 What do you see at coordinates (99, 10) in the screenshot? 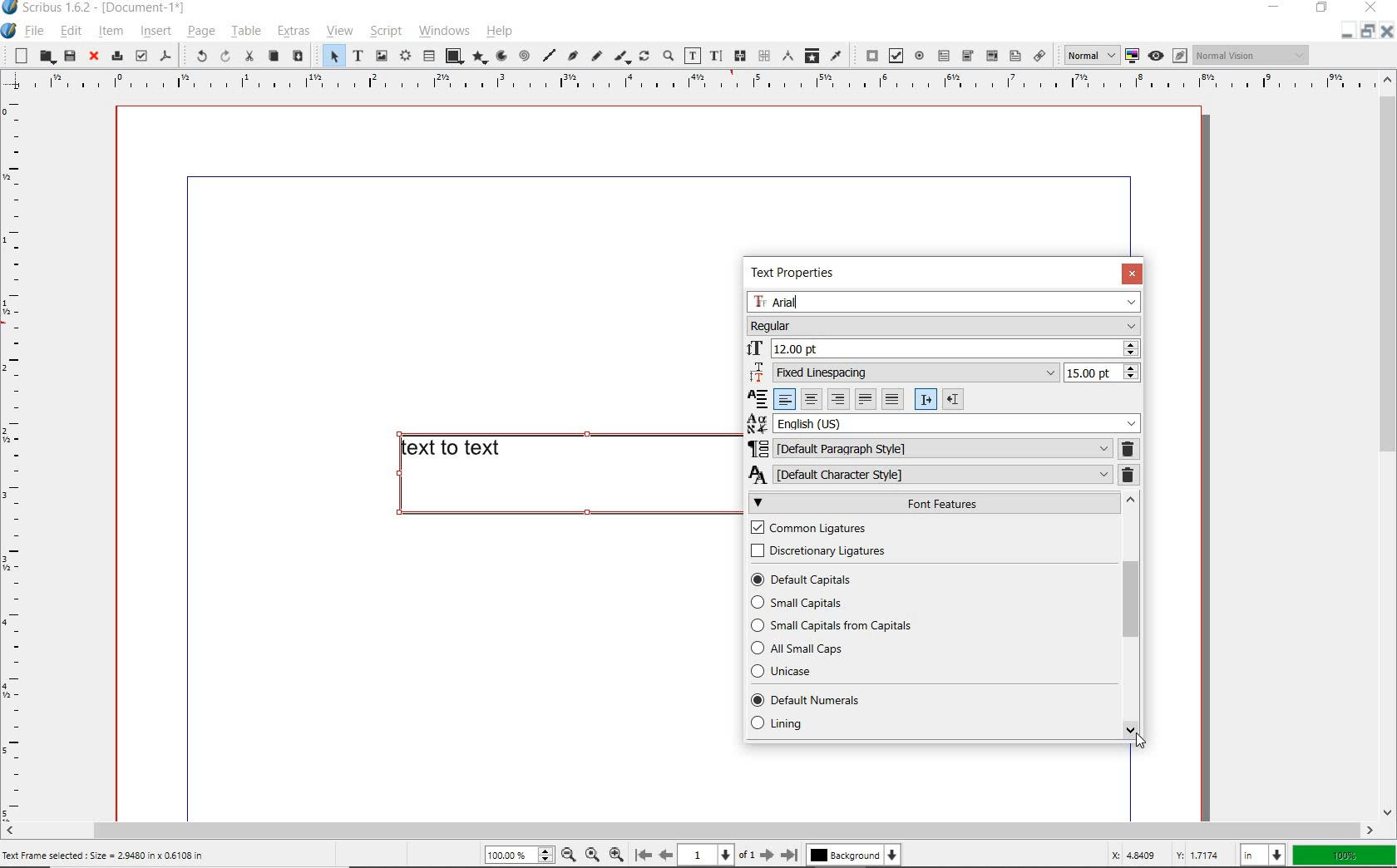
I see `Scribus 1.6.2 - [Document-1*]` at bounding box center [99, 10].